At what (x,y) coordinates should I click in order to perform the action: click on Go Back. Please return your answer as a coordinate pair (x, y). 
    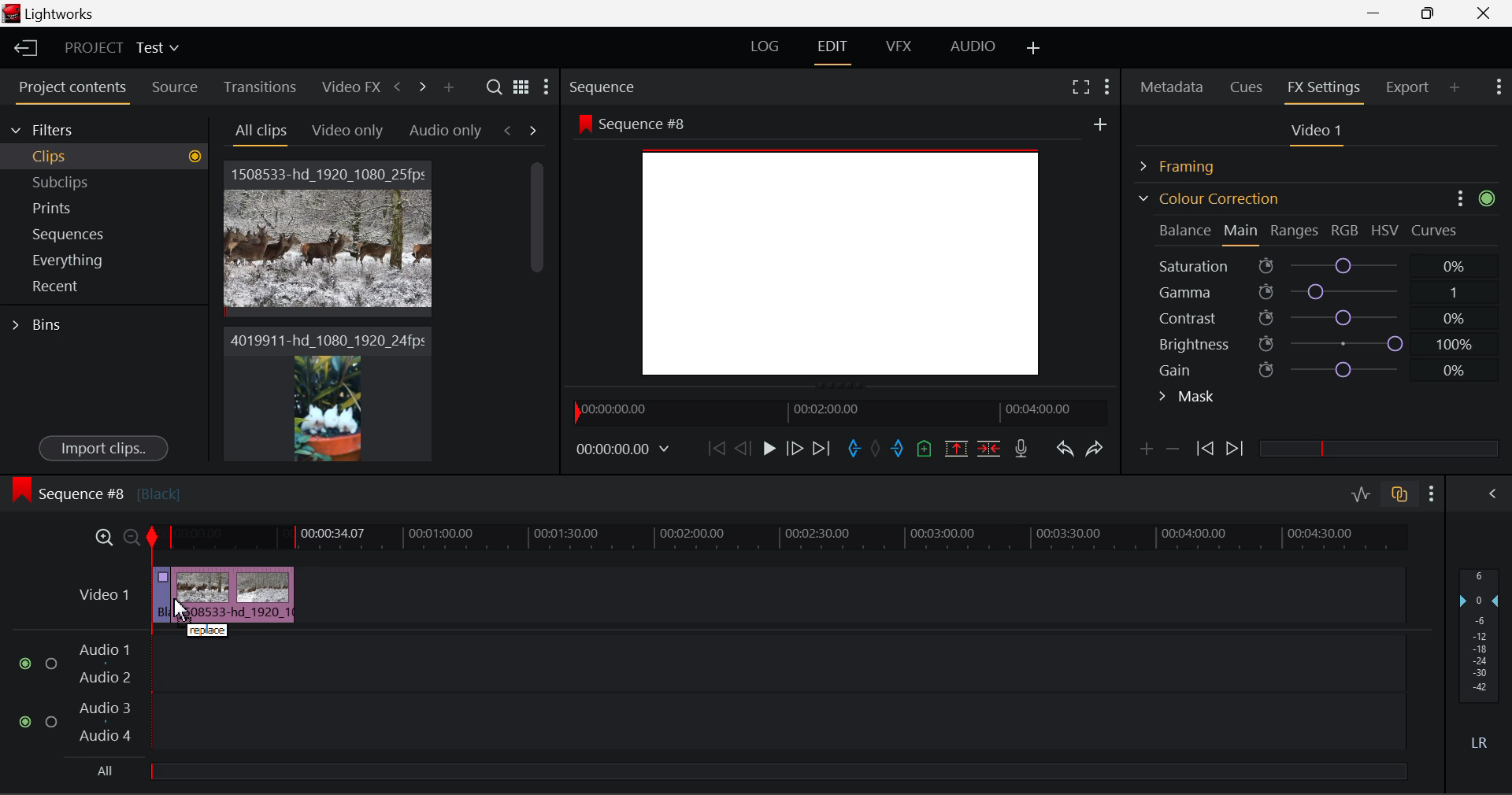
    Looking at the image, I should click on (745, 447).